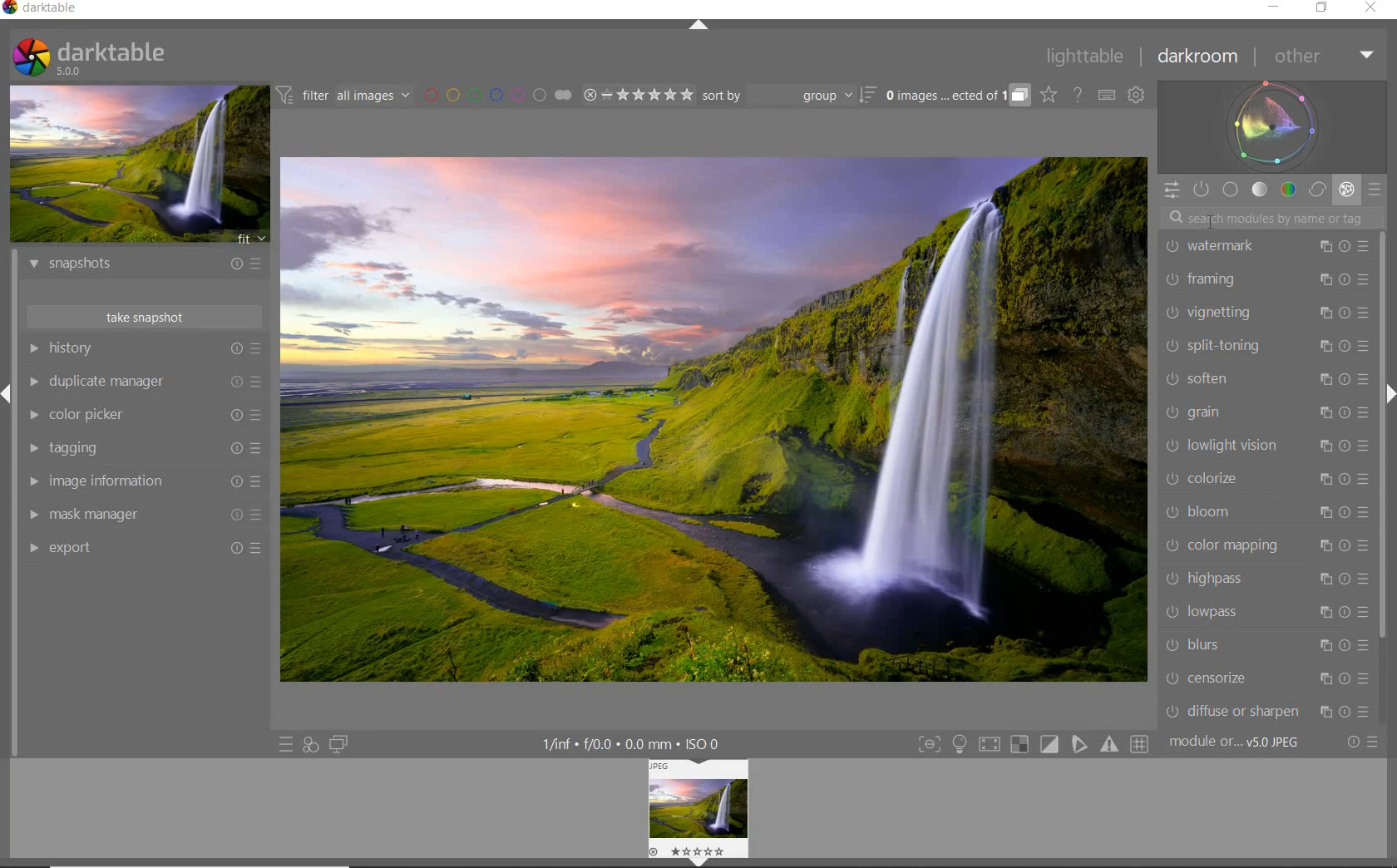 This screenshot has height=868, width=1397. Describe the element at coordinates (1287, 190) in the screenshot. I see `color` at that location.